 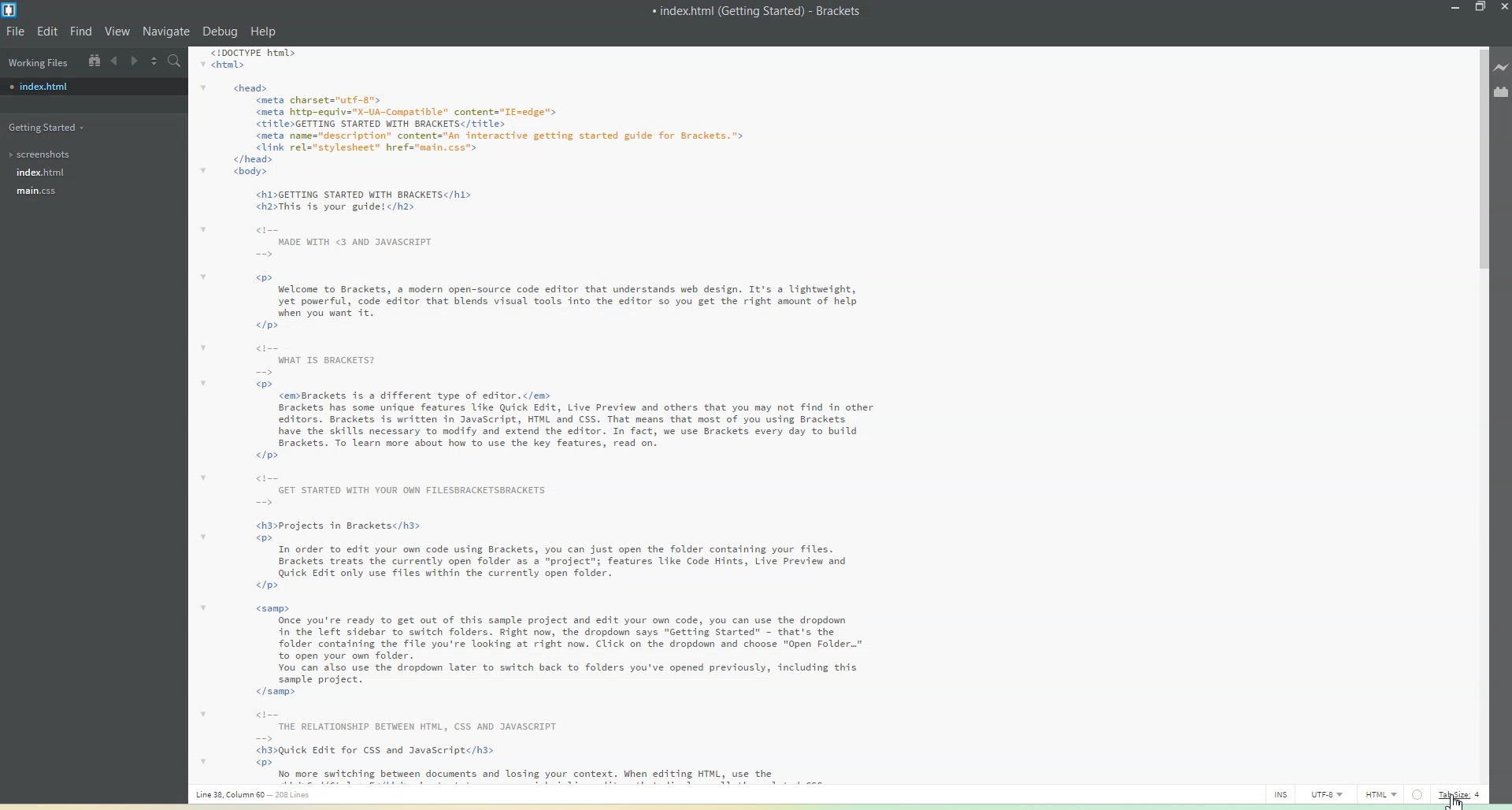 I want to click on Help, so click(x=264, y=32).